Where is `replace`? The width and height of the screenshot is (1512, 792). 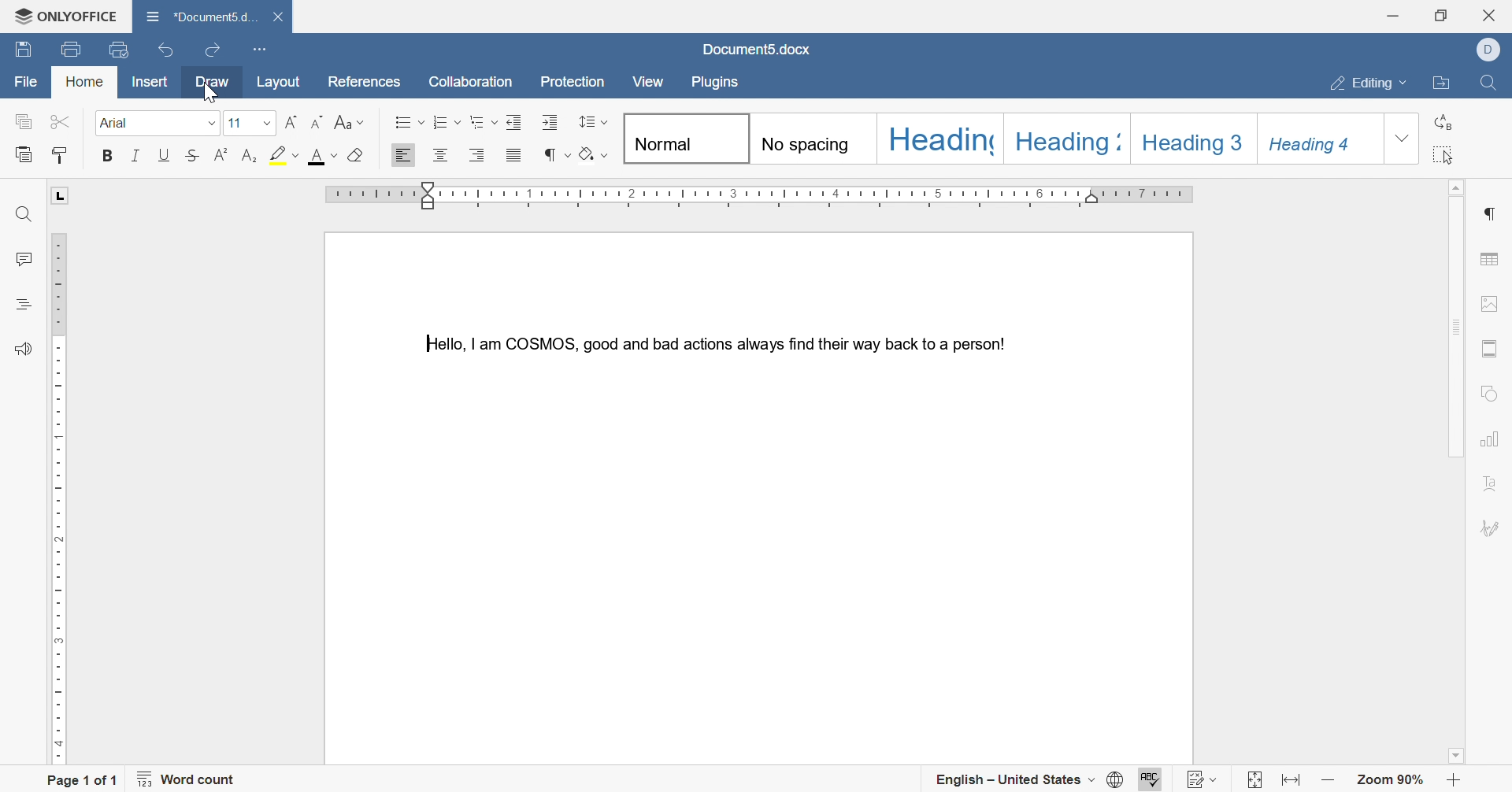
replace is located at coordinates (1443, 123).